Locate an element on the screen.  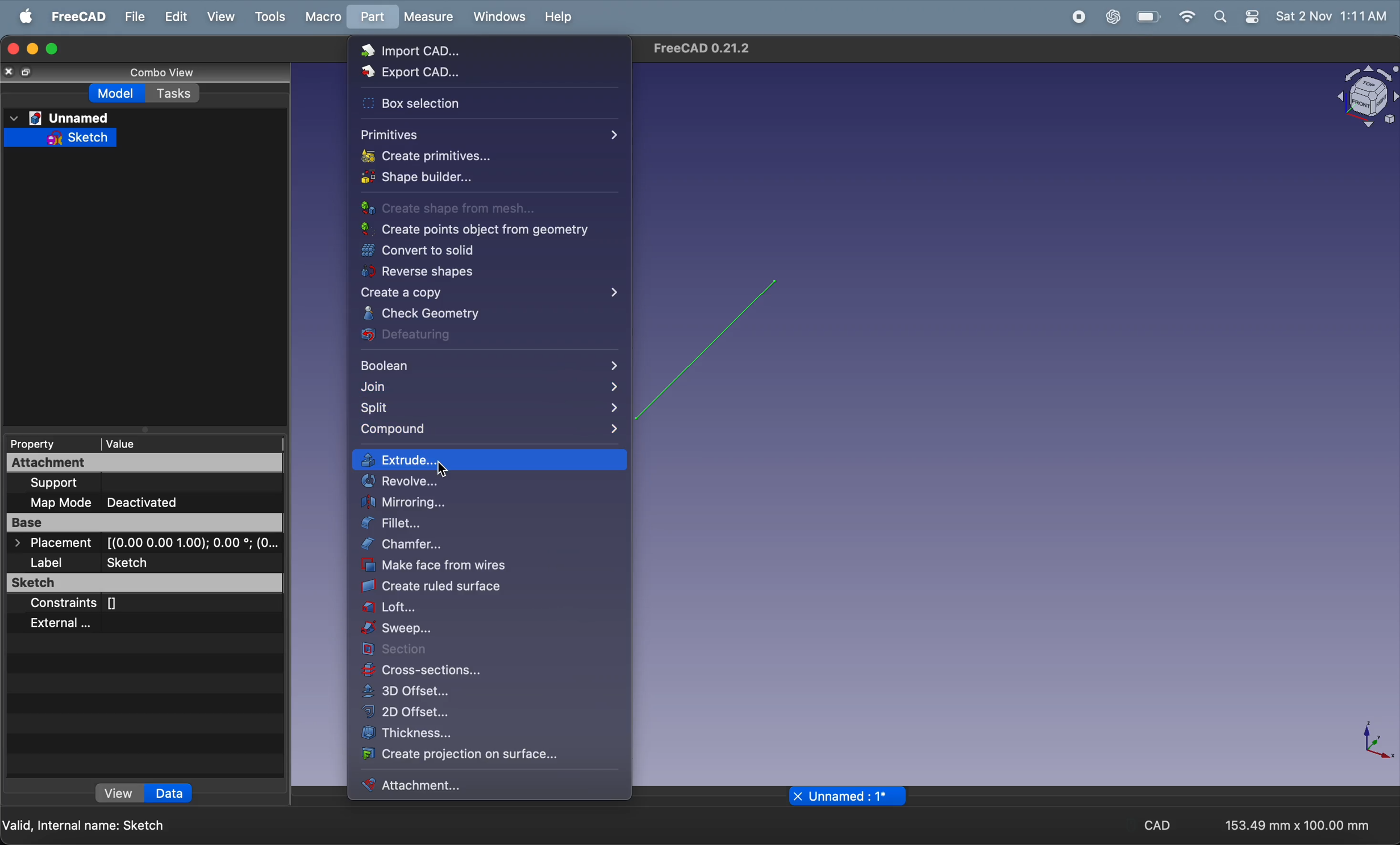
revolve... is located at coordinates (485, 483).